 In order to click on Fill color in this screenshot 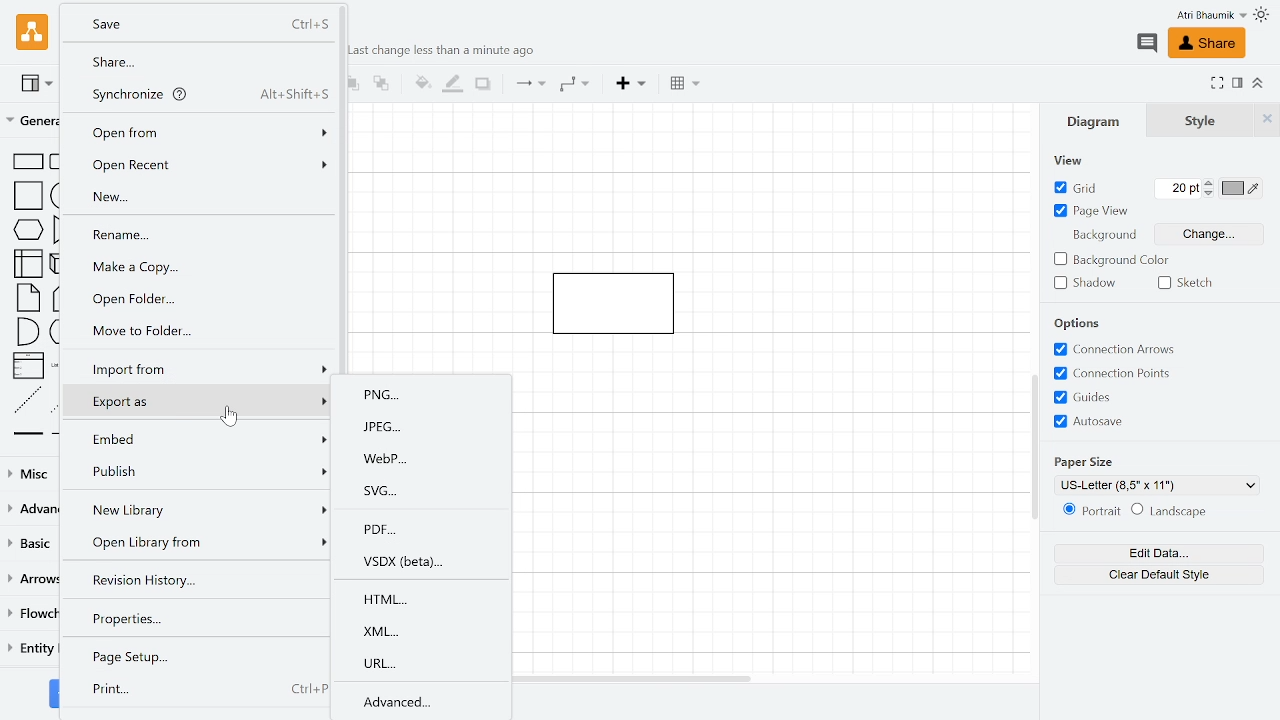, I will do `click(420, 83)`.